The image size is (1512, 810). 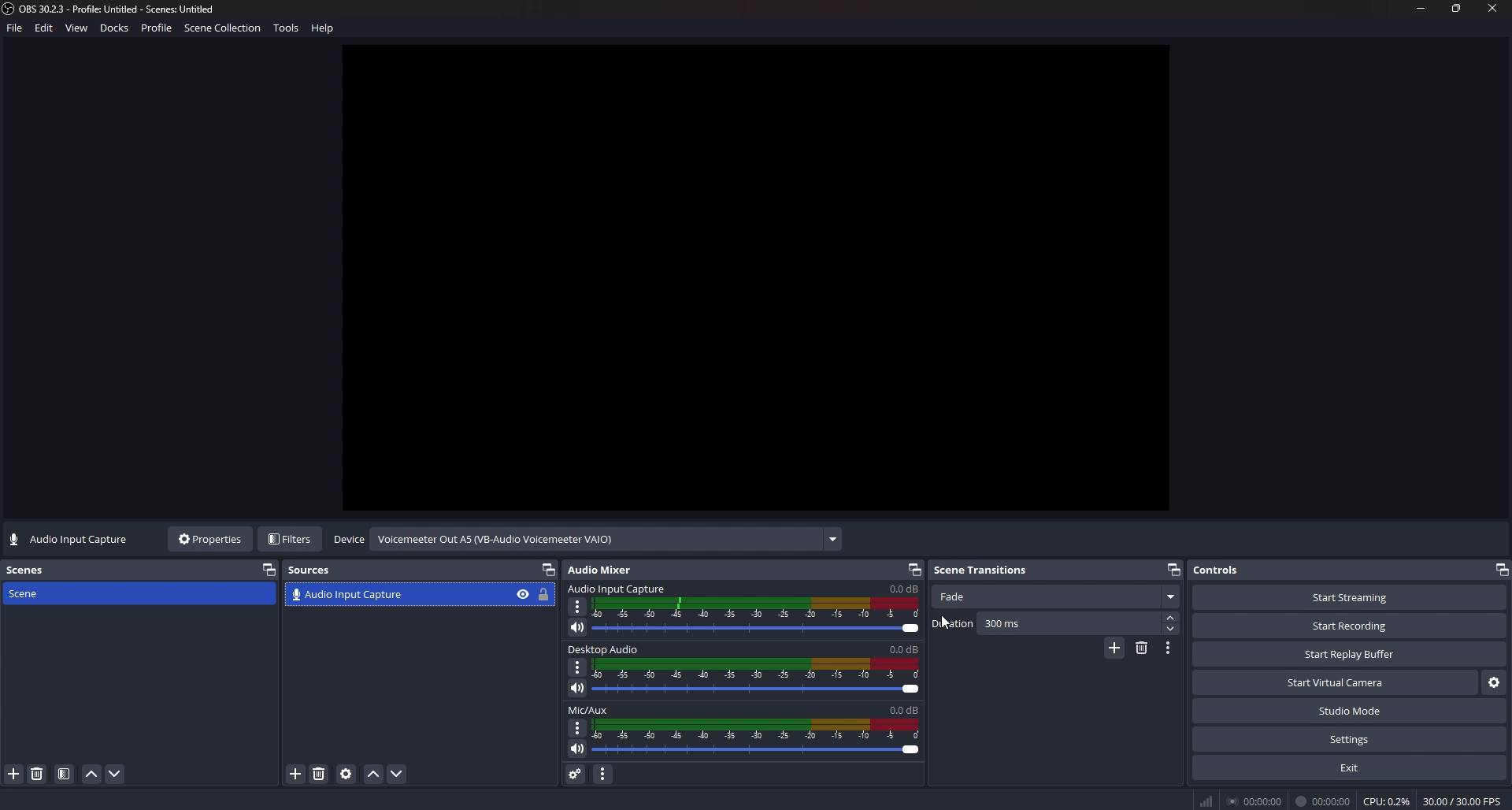 I want to click on file name, so click(x=111, y=9).